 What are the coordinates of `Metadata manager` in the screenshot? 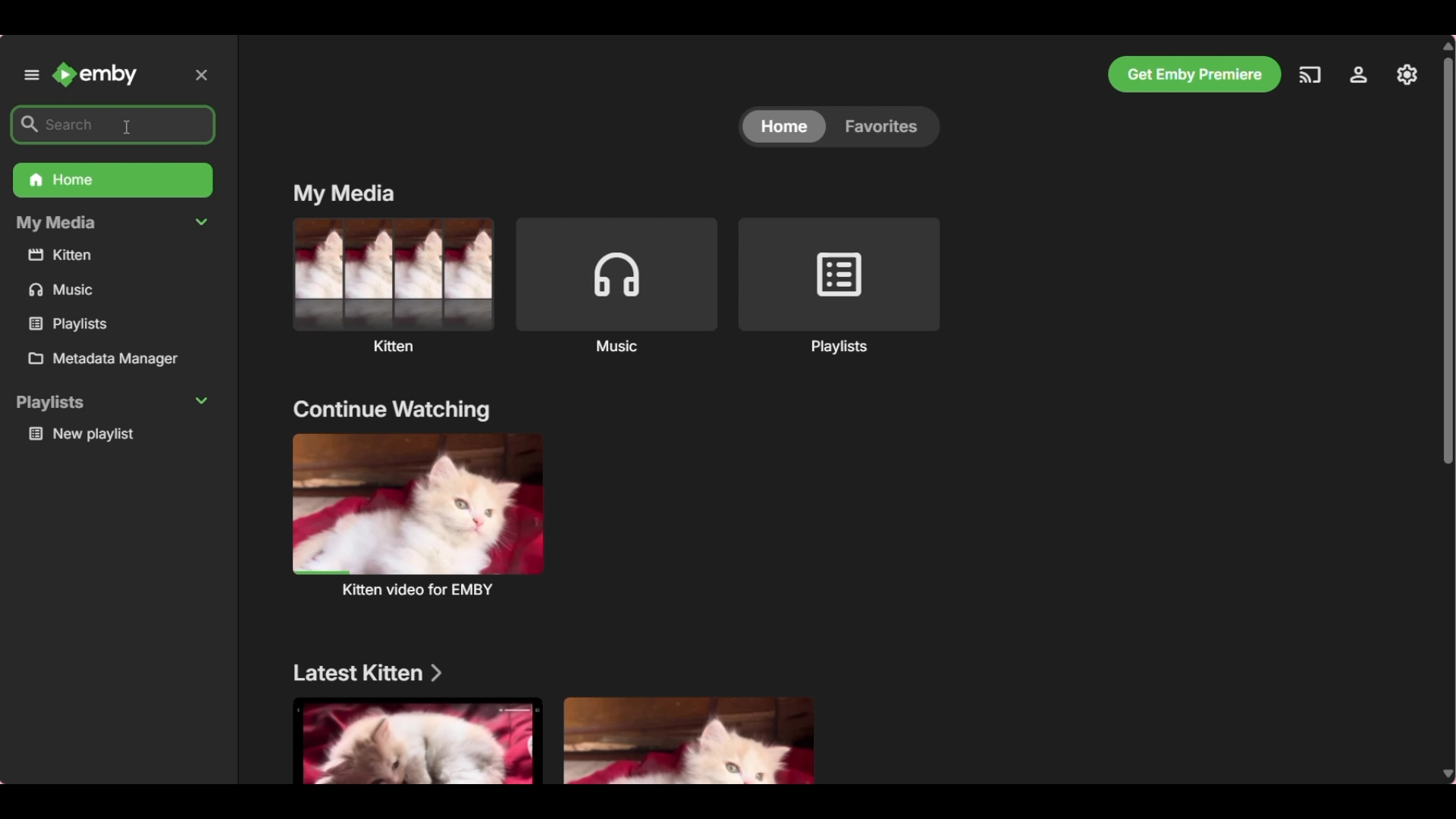 It's located at (119, 360).